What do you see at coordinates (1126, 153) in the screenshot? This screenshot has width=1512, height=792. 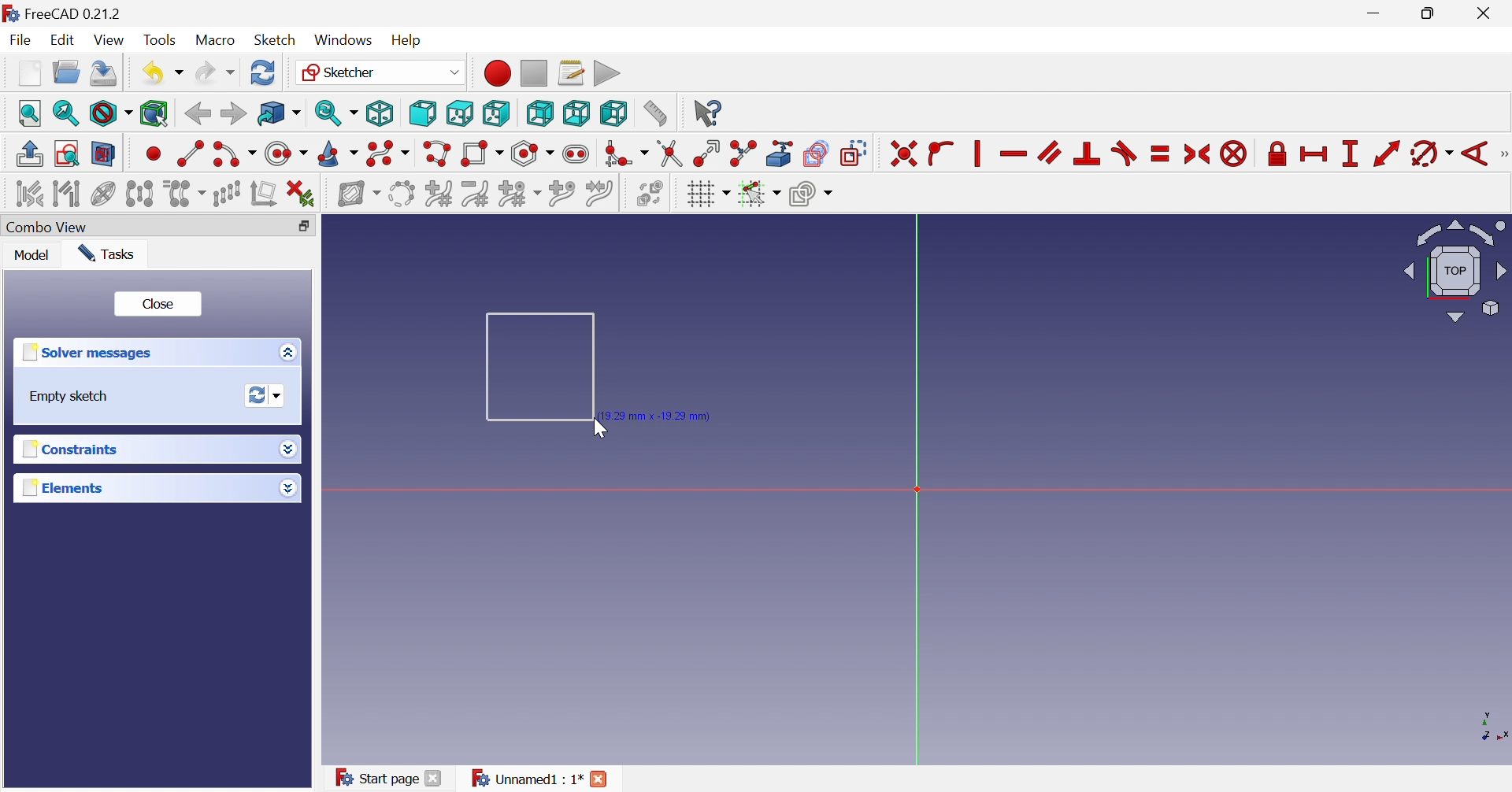 I see `Constrain tangent` at bounding box center [1126, 153].